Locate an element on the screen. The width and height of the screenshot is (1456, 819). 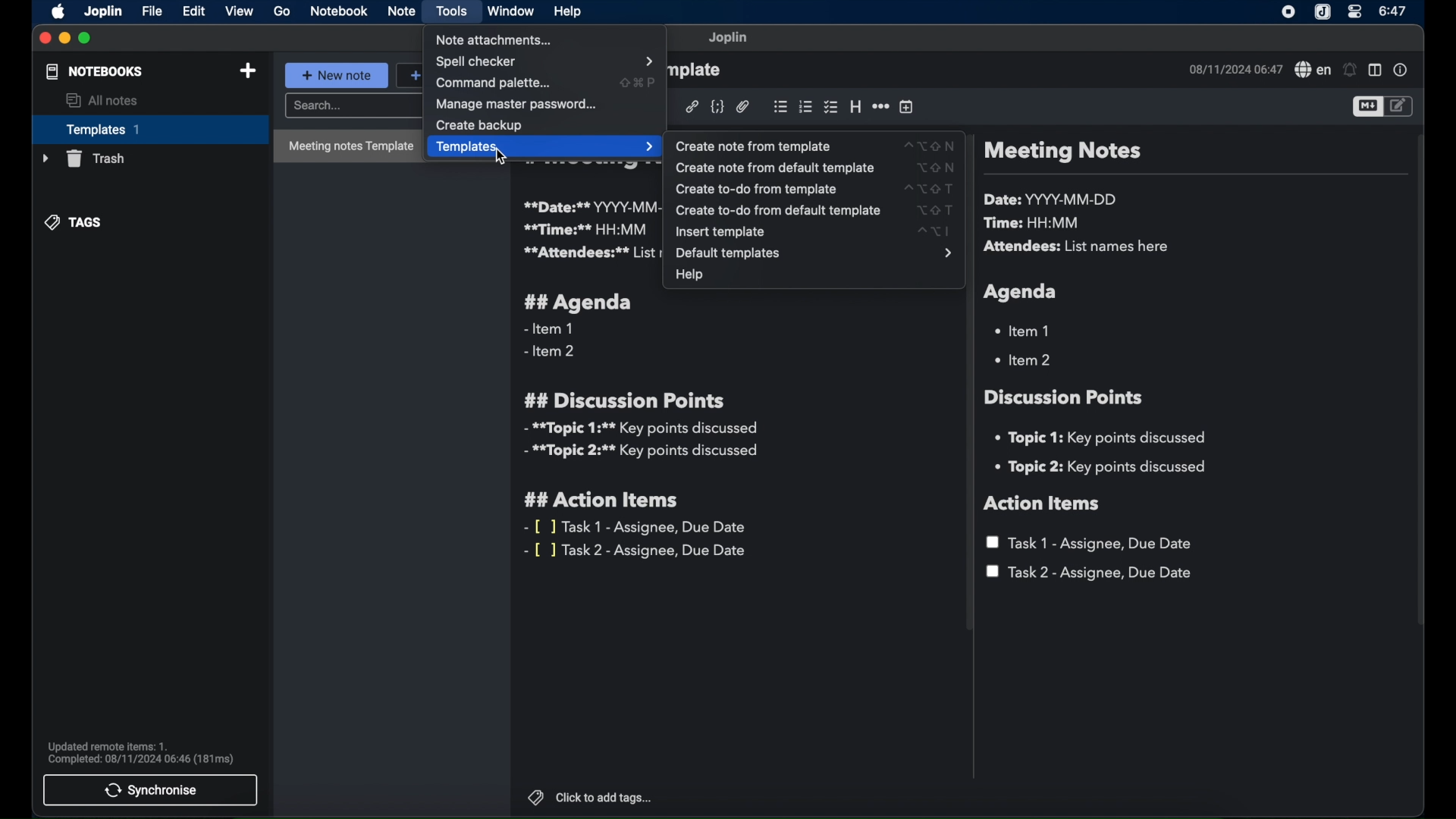
create backup  is located at coordinates (479, 125).